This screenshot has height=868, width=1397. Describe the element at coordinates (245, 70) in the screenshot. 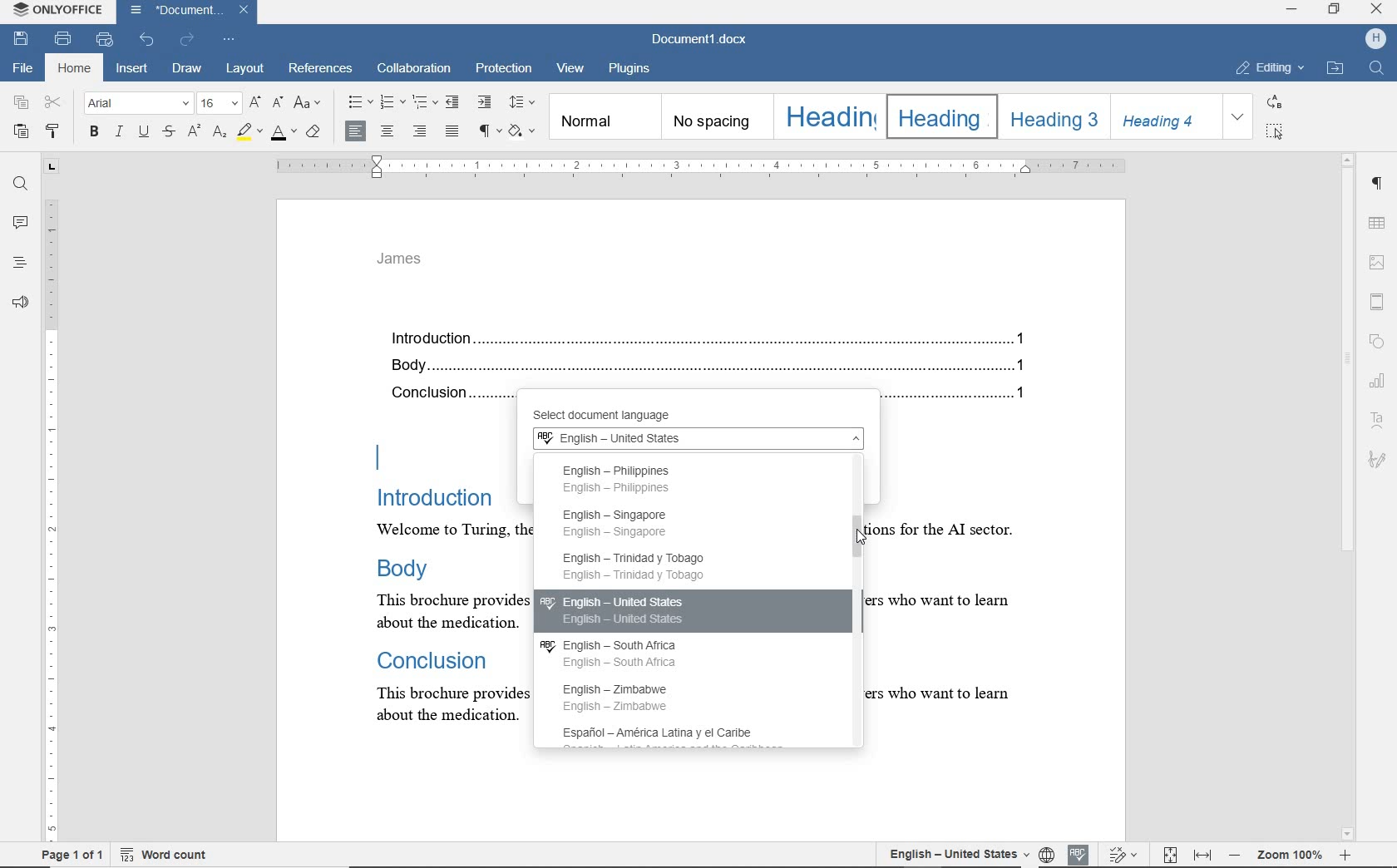

I see `layout` at that location.